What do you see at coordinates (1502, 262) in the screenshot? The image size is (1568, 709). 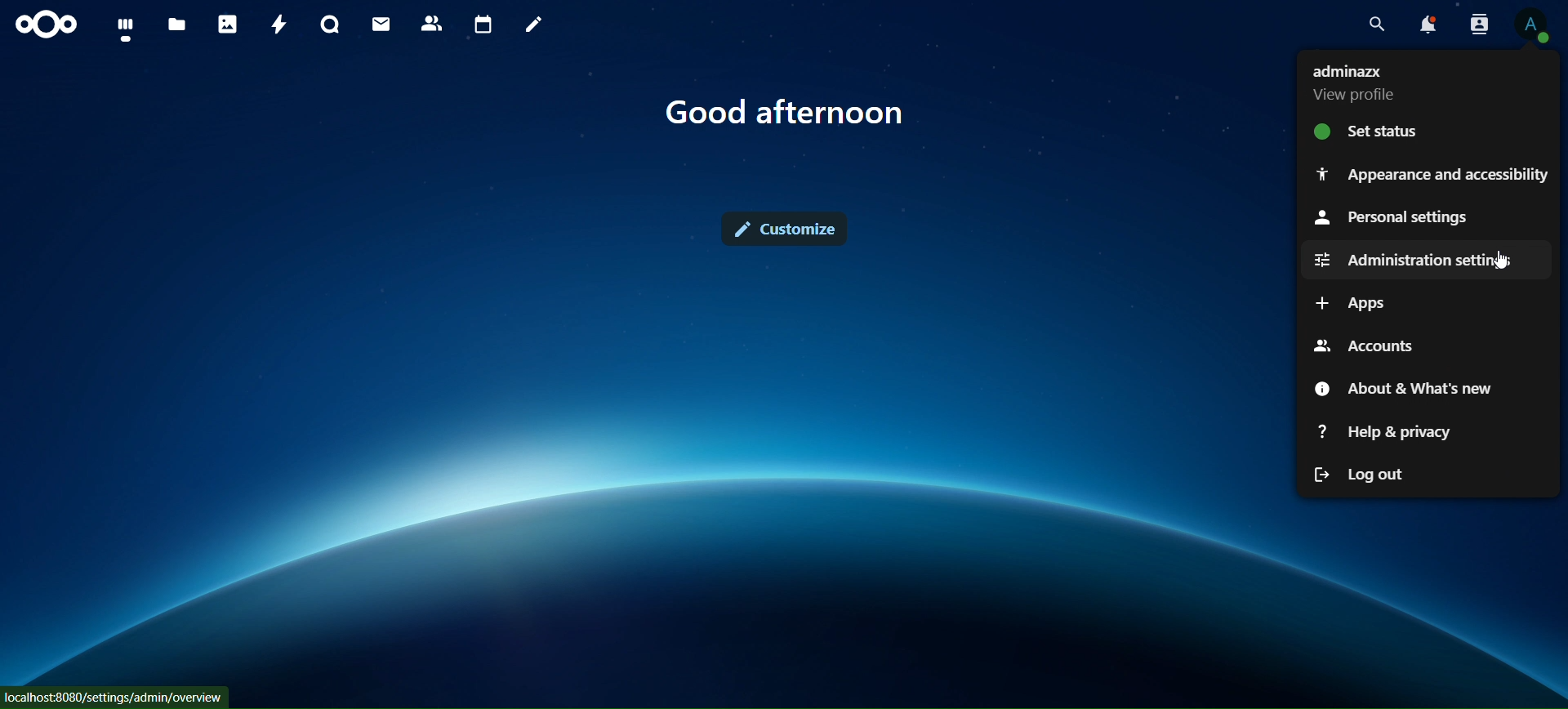 I see `Cursor` at bounding box center [1502, 262].